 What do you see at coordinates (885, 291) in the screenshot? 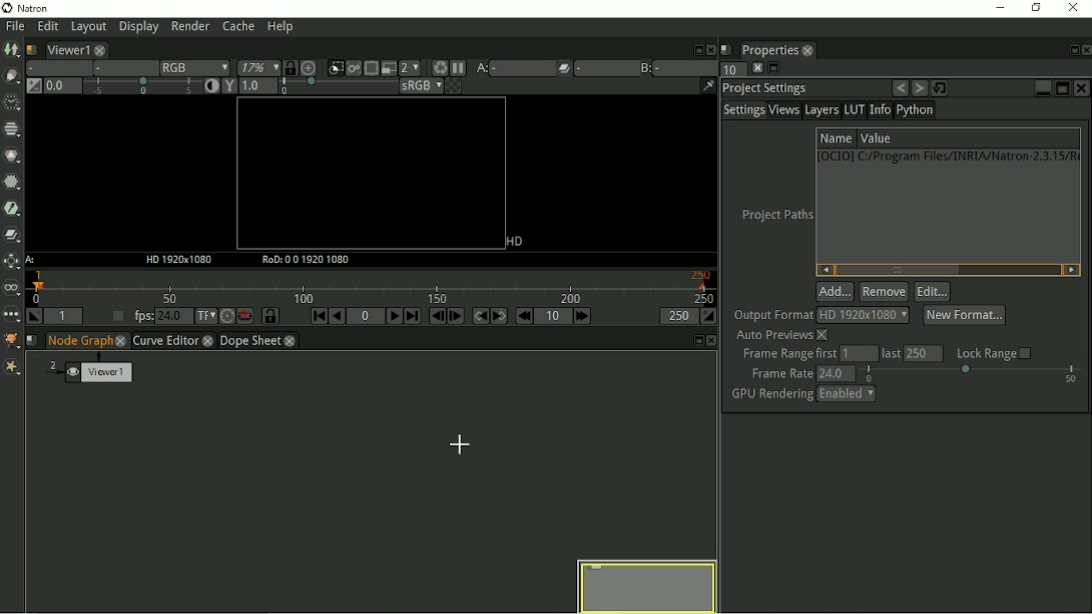
I see `Remove` at bounding box center [885, 291].